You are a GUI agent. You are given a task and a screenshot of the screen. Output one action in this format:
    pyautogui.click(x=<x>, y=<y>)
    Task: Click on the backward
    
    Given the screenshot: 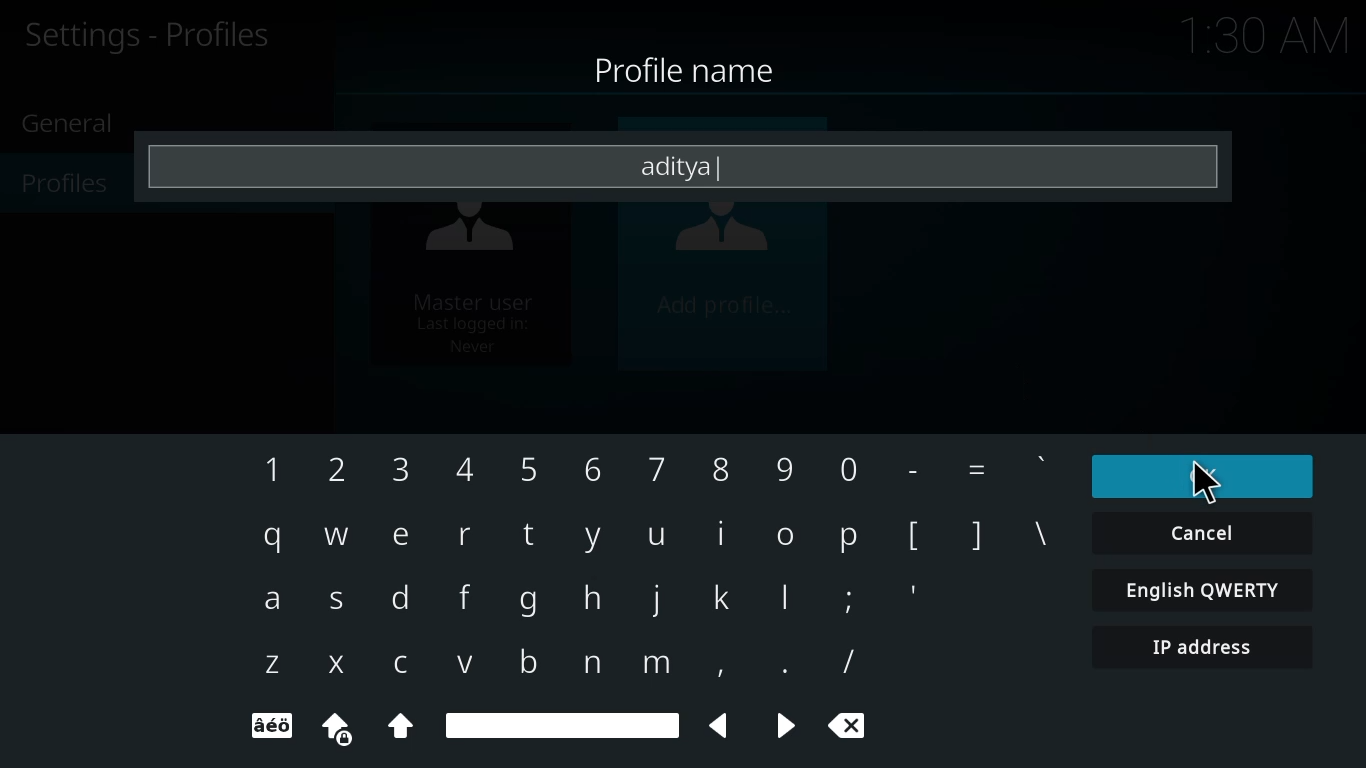 What is the action you would take?
    pyautogui.click(x=778, y=726)
    